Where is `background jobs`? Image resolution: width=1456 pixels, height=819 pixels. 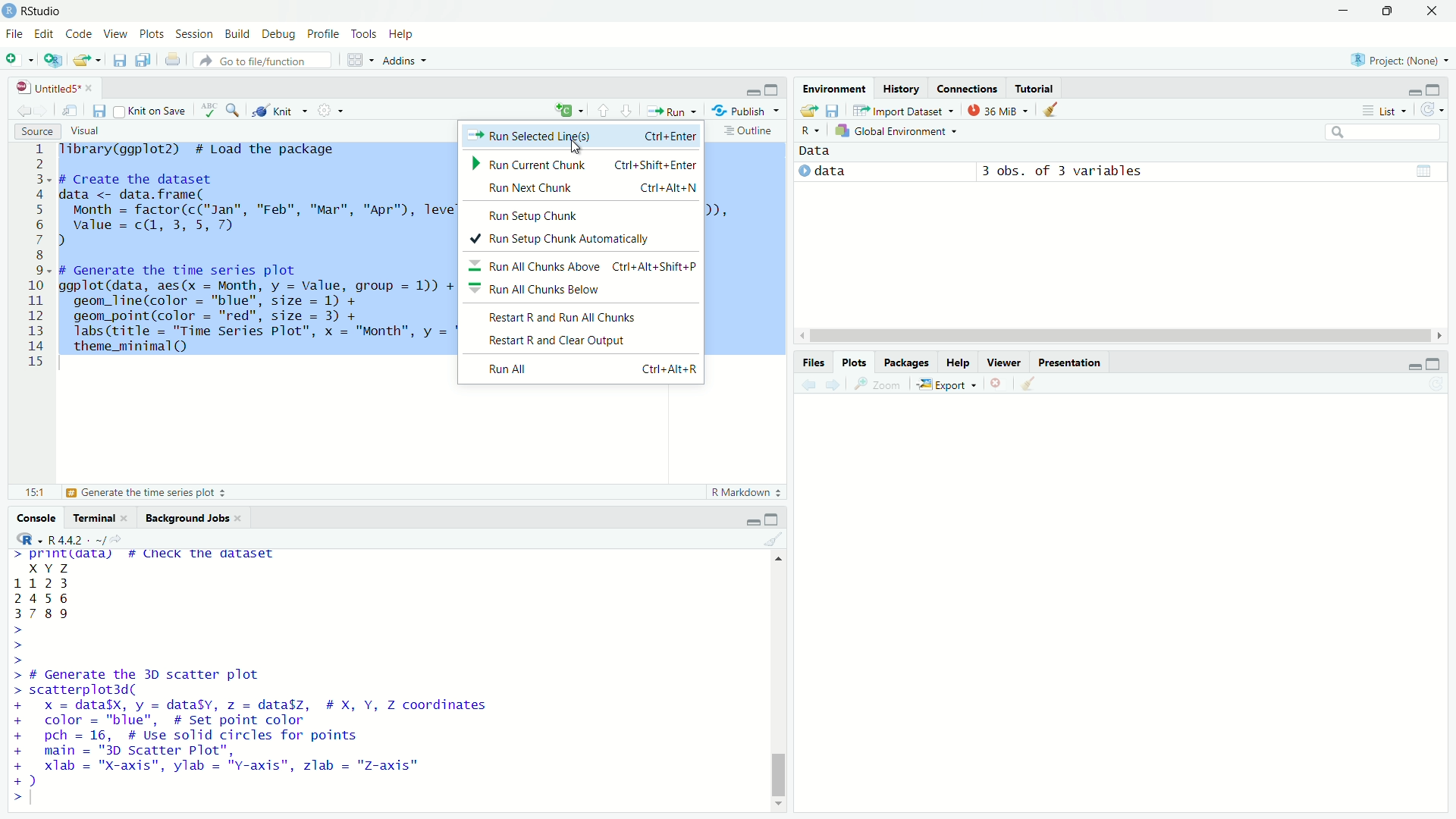
background jobs is located at coordinates (185, 516).